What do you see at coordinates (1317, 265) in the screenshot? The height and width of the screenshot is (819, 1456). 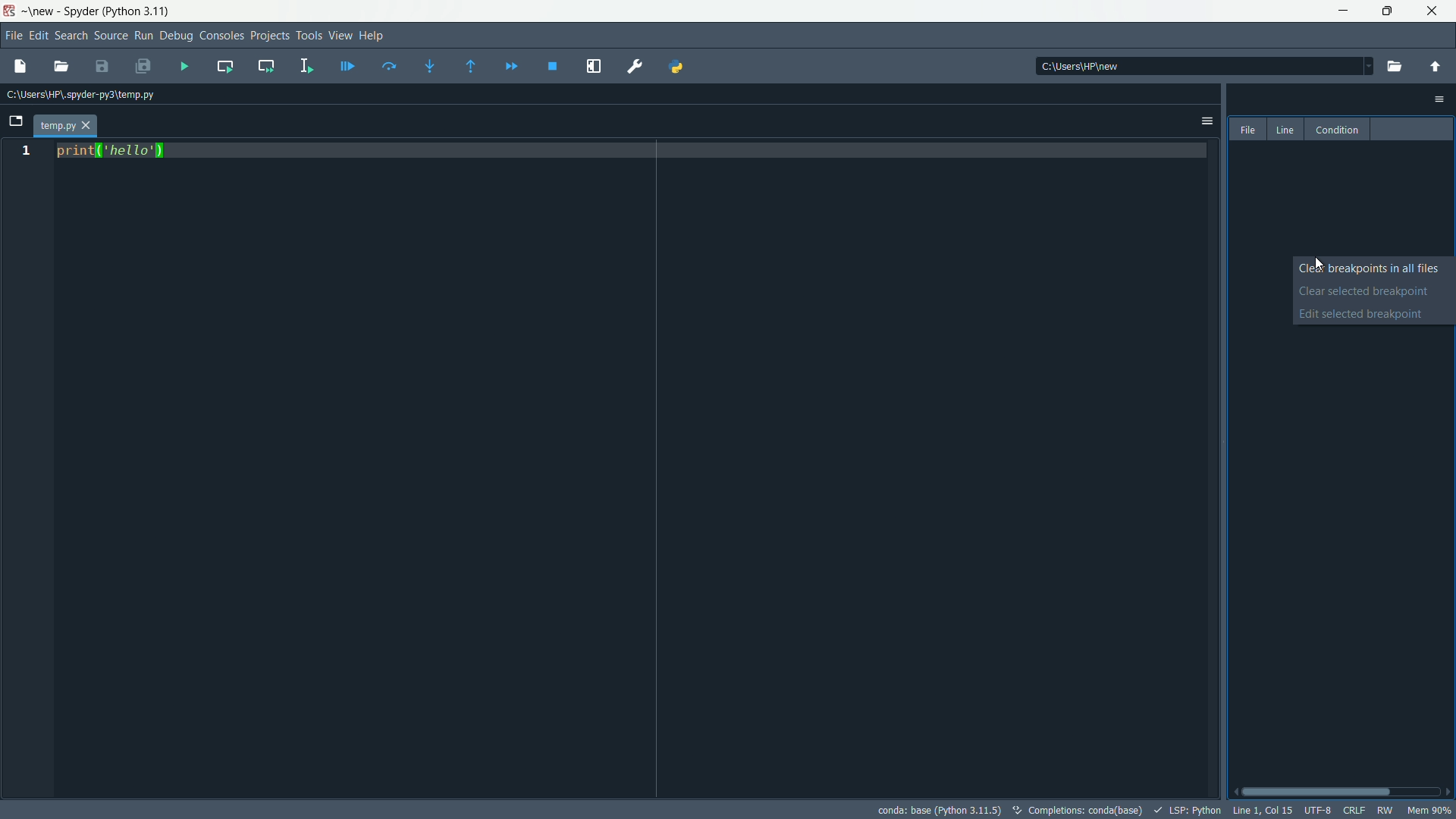 I see `cursor` at bounding box center [1317, 265].